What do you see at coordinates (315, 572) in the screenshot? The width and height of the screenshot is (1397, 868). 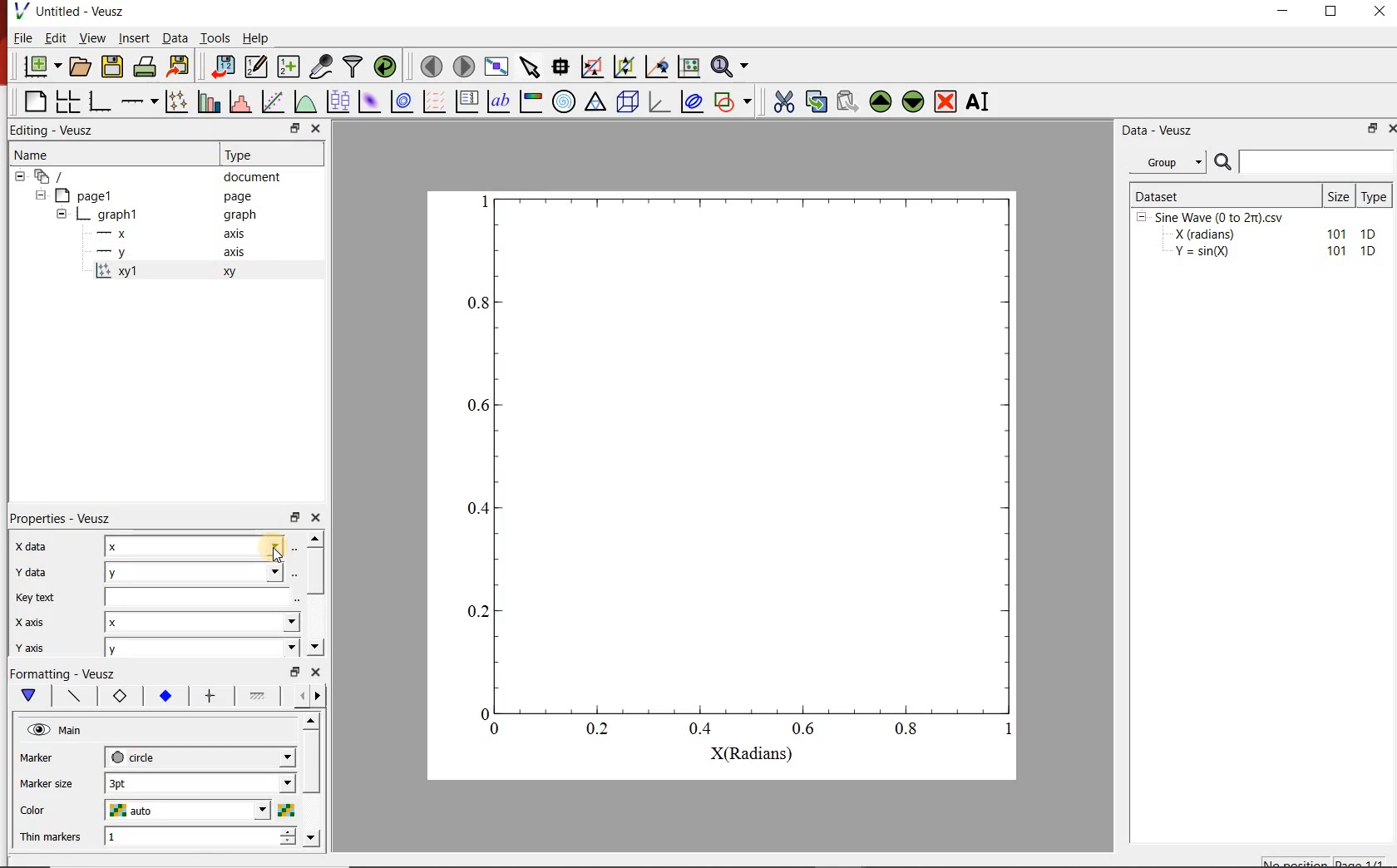 I see `scrollbar` at bounding box center [315, 572].